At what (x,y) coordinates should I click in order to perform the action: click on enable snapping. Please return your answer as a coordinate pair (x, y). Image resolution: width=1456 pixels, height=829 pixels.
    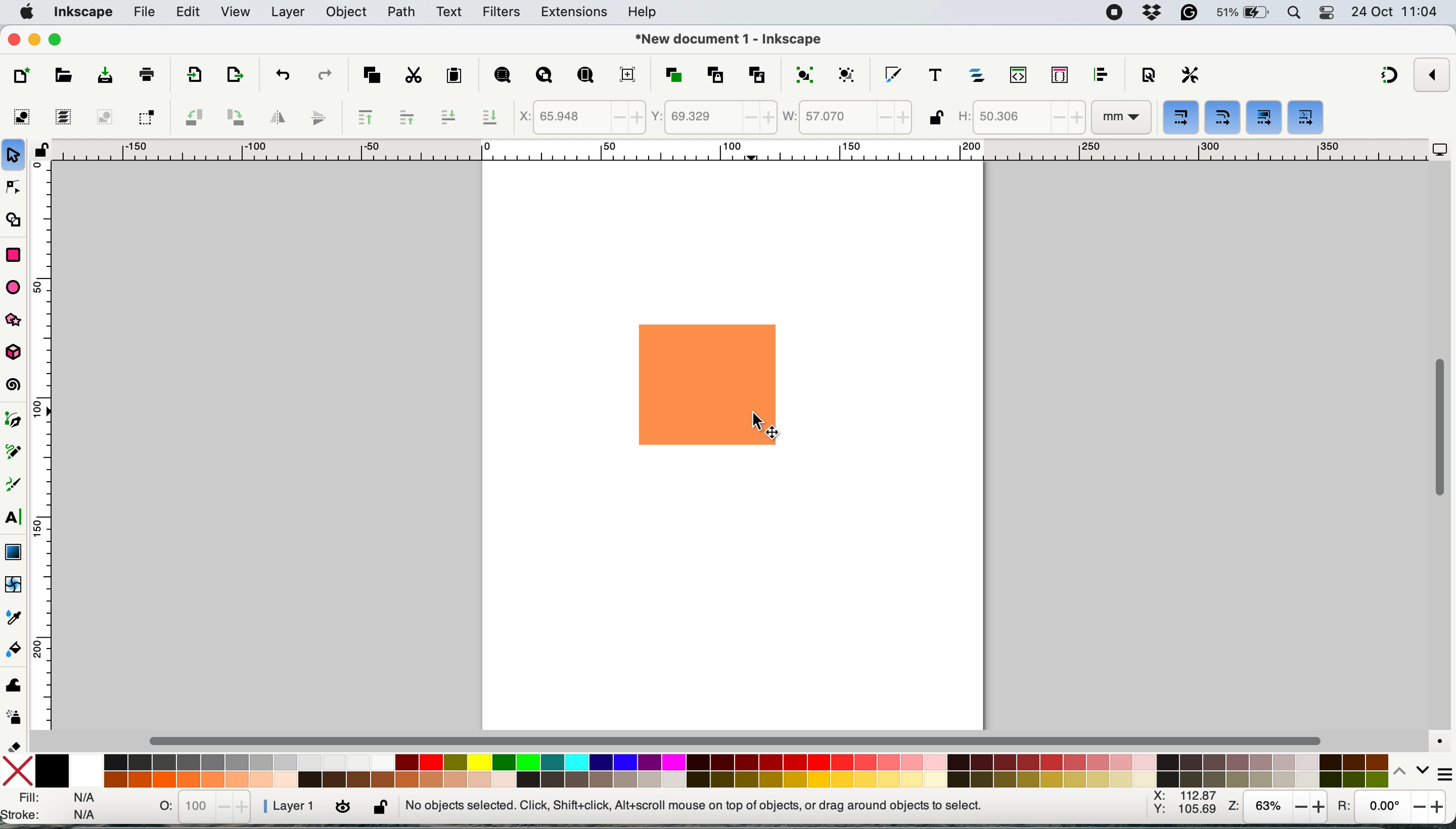
    Looking at the image, I should click on (1433, 74).